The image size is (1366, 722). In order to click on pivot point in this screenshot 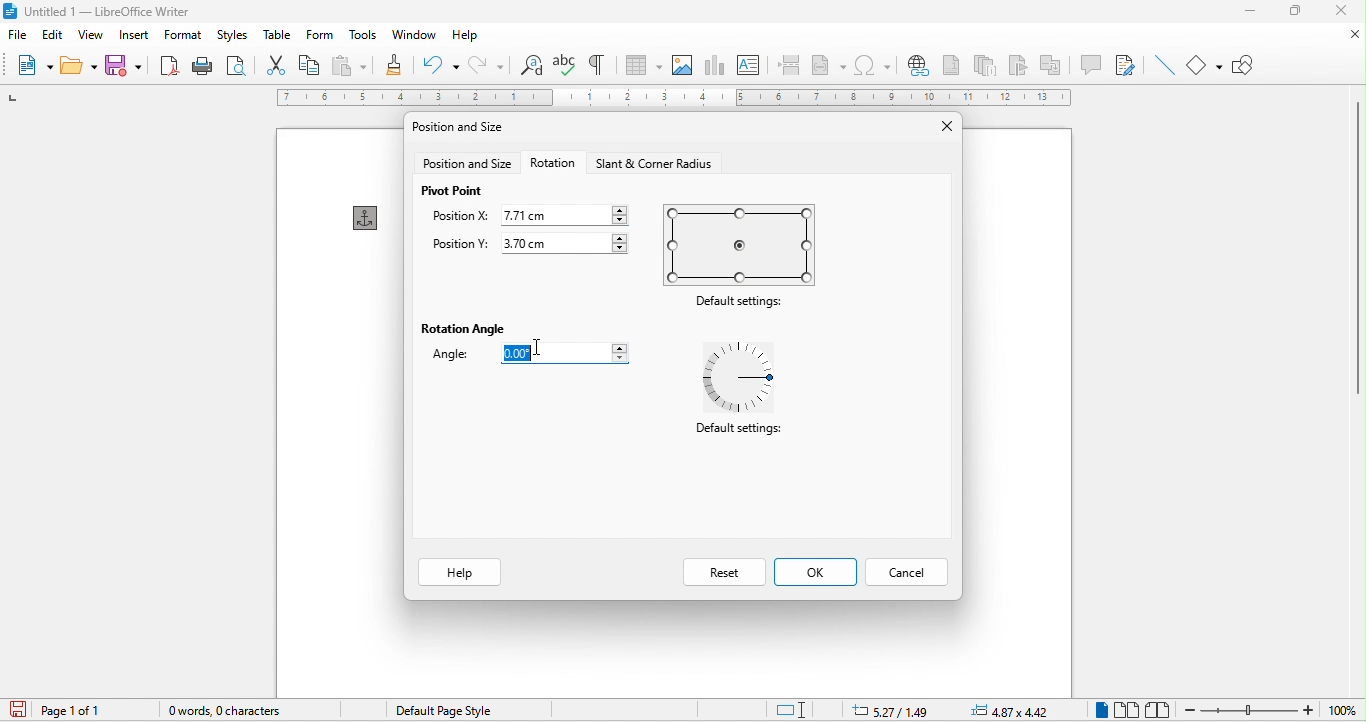, I will do `click(458, 191)`.